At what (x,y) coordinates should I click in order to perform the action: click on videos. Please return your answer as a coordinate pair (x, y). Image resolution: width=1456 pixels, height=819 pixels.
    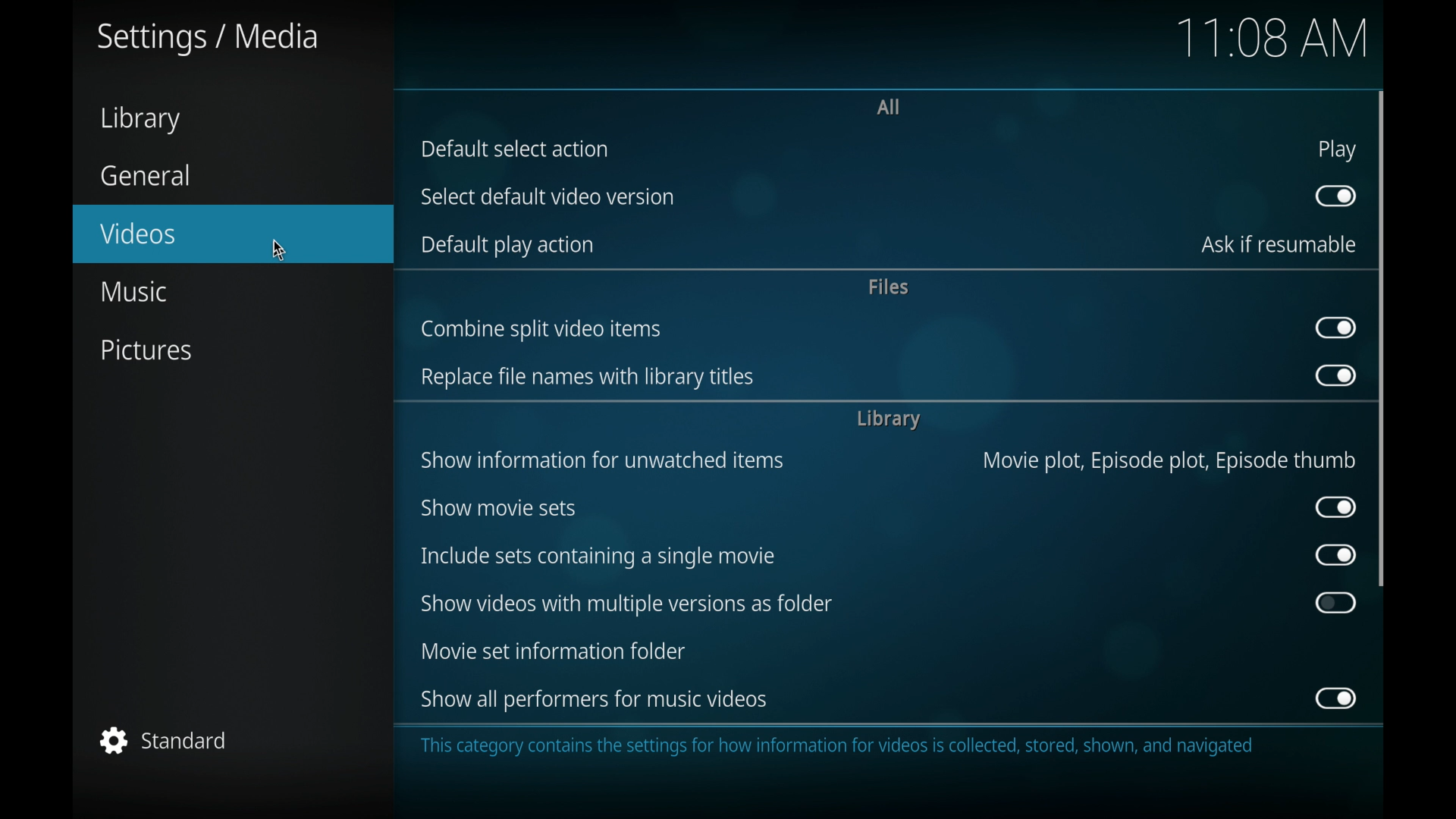
    Looking at the image, I should click on (234, 234).